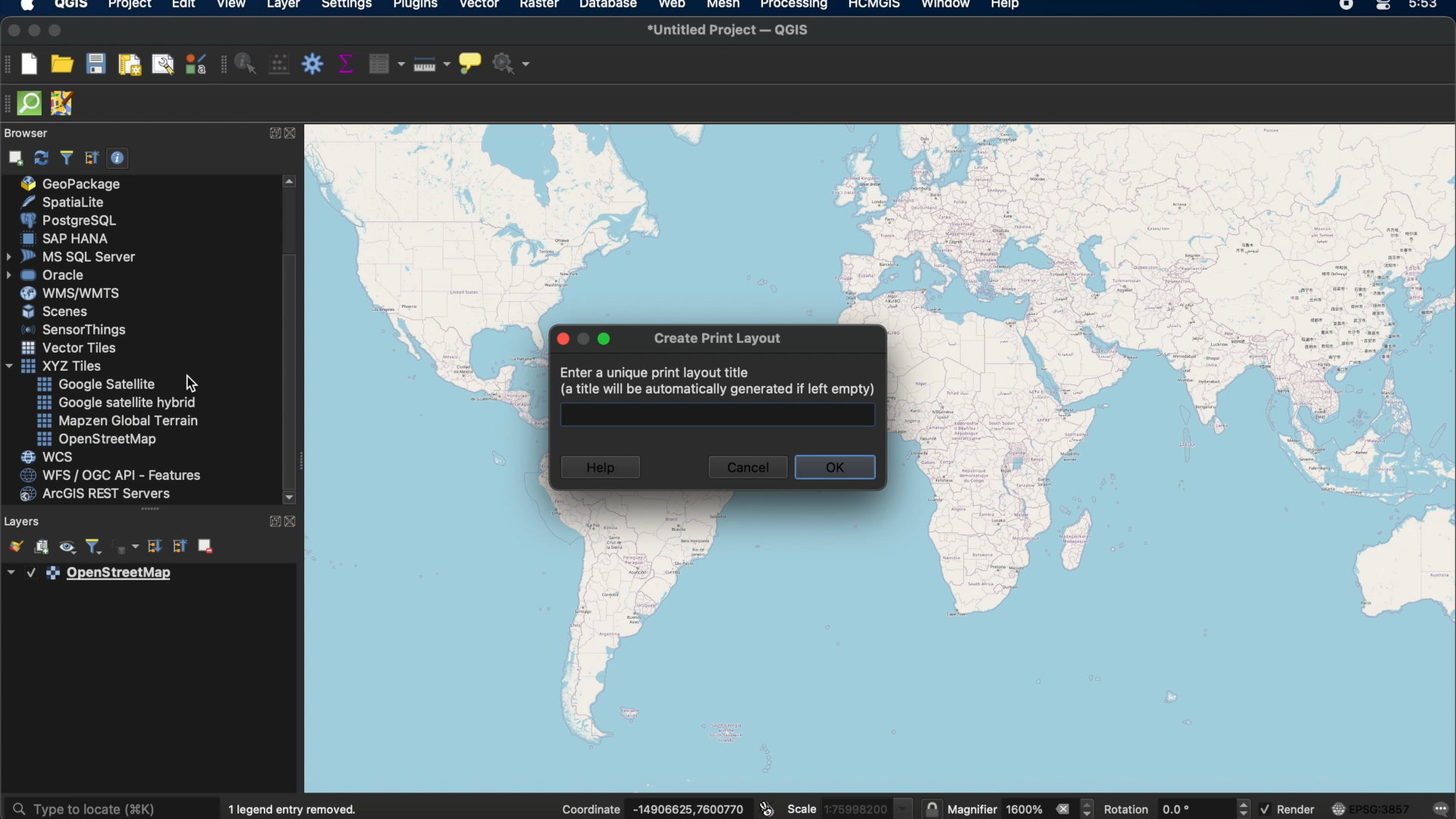 The width and height of the screenshot is (1456, 819). I want to click on recorder icon, so click(1341, 7).